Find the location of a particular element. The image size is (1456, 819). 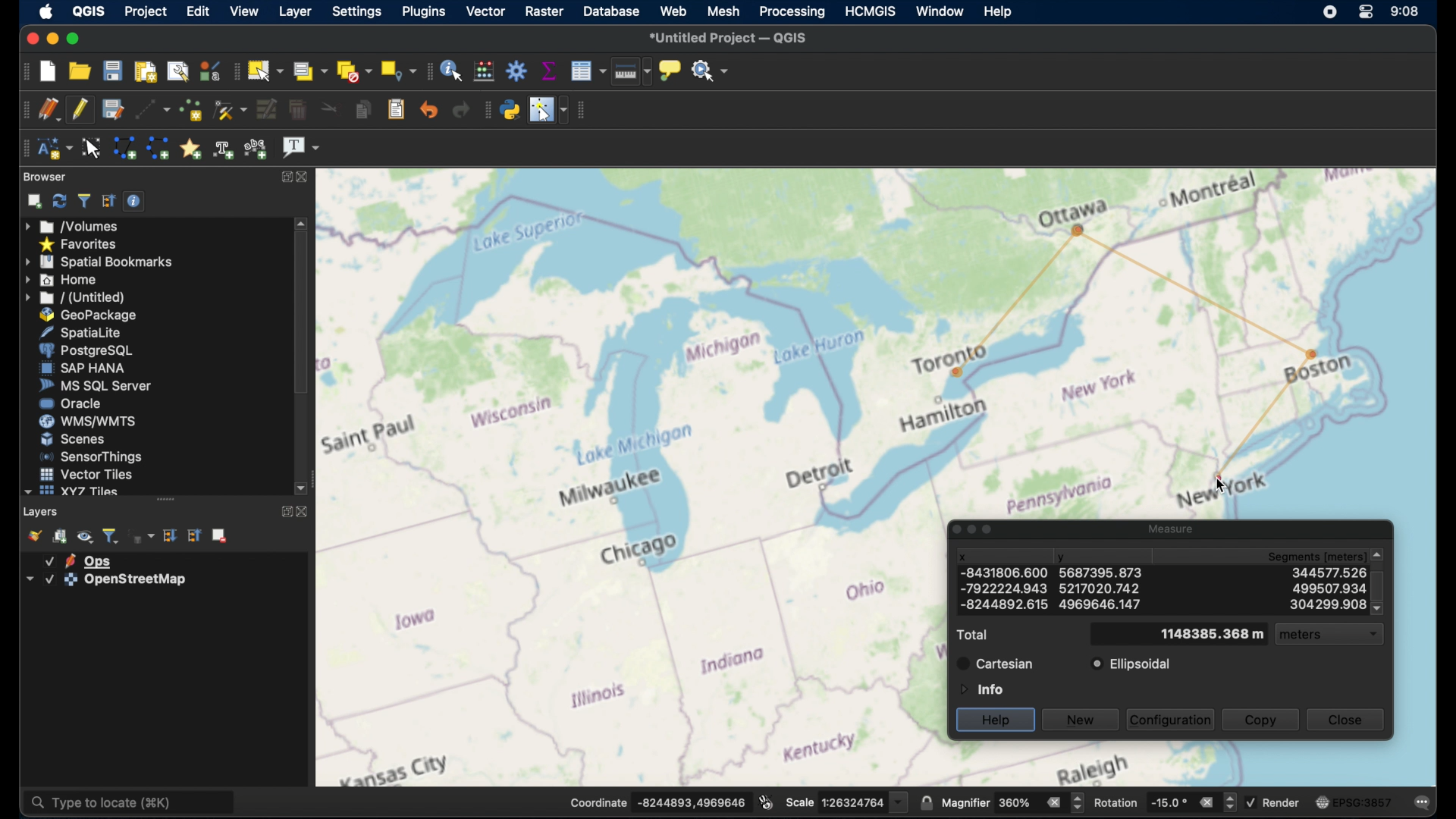

attributes toolbar is located at coordinates (428, 71).